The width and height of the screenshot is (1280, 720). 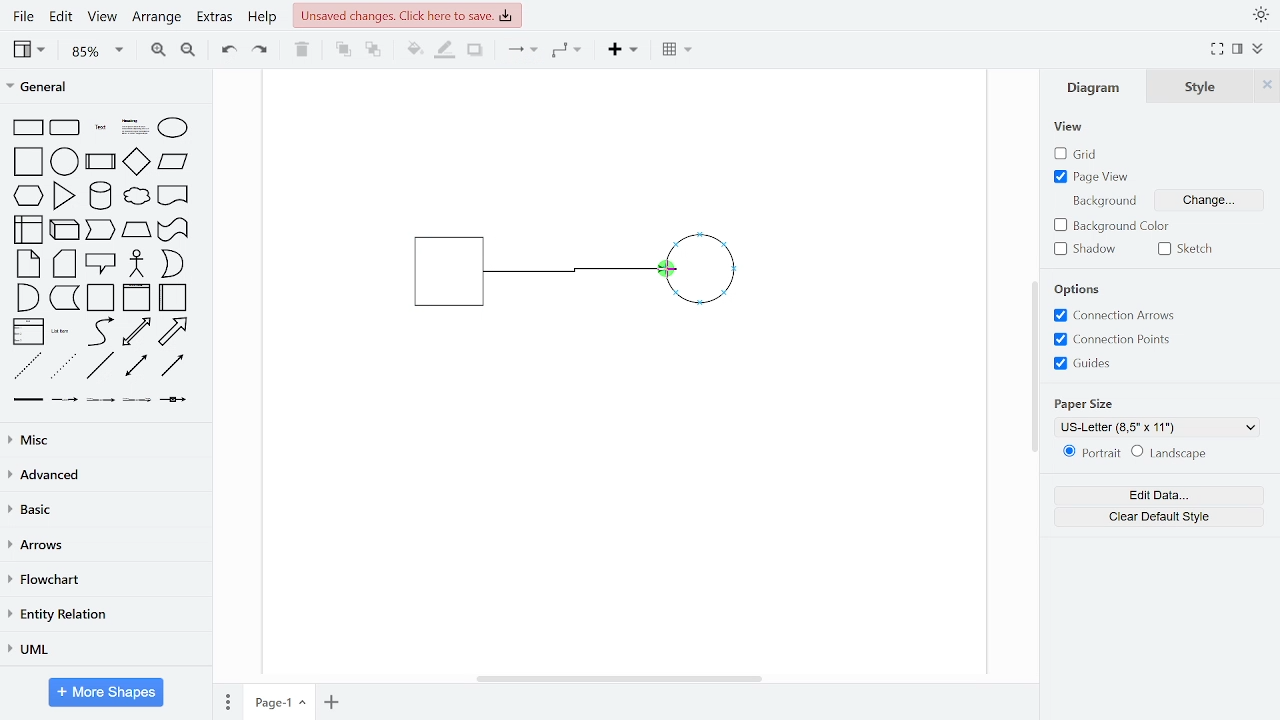 I want to click on UML, so click(x=101, y=650).